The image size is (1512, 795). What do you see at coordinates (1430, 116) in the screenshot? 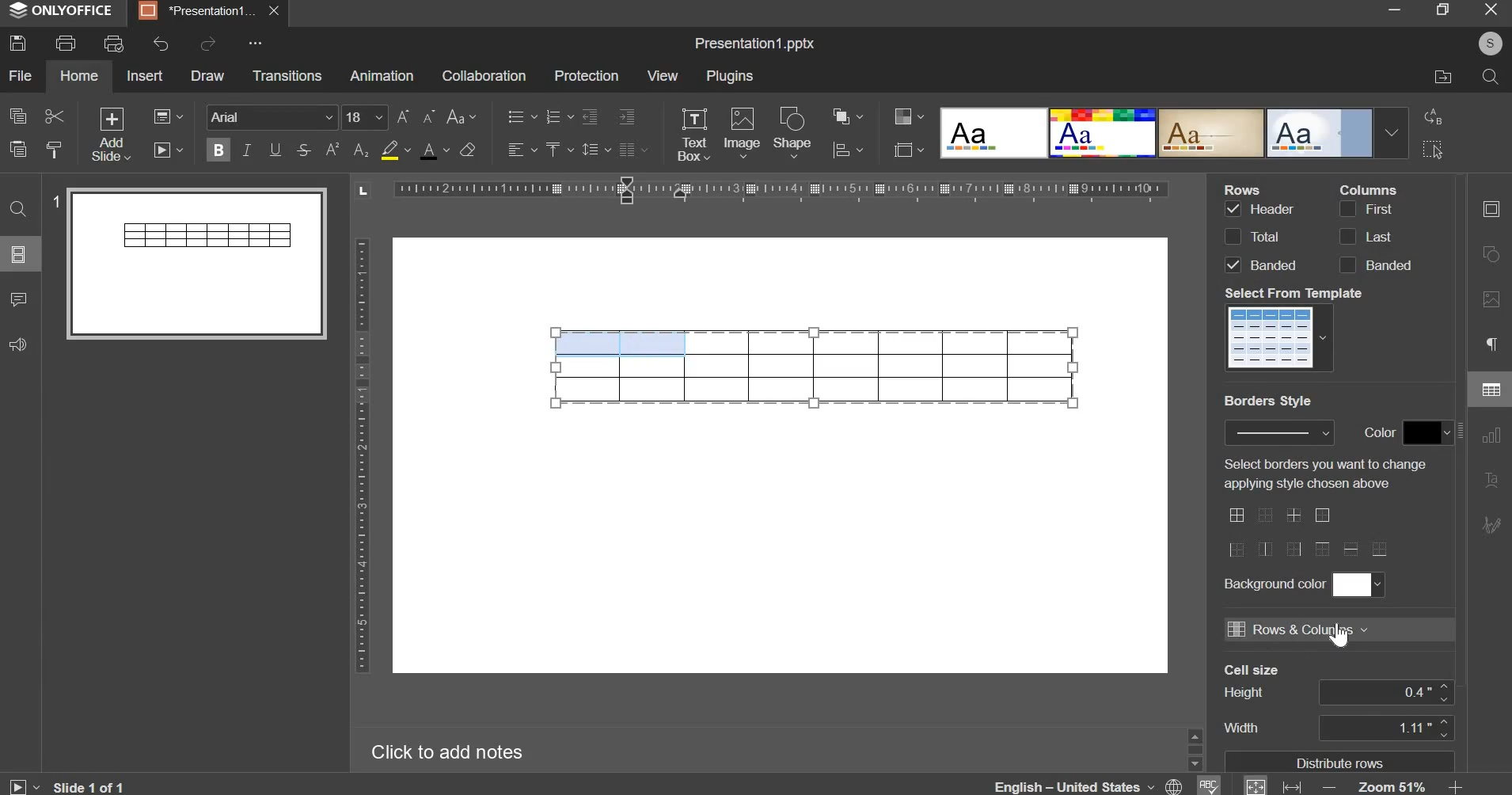
I see `replace` at bounding box center [1430, 116].